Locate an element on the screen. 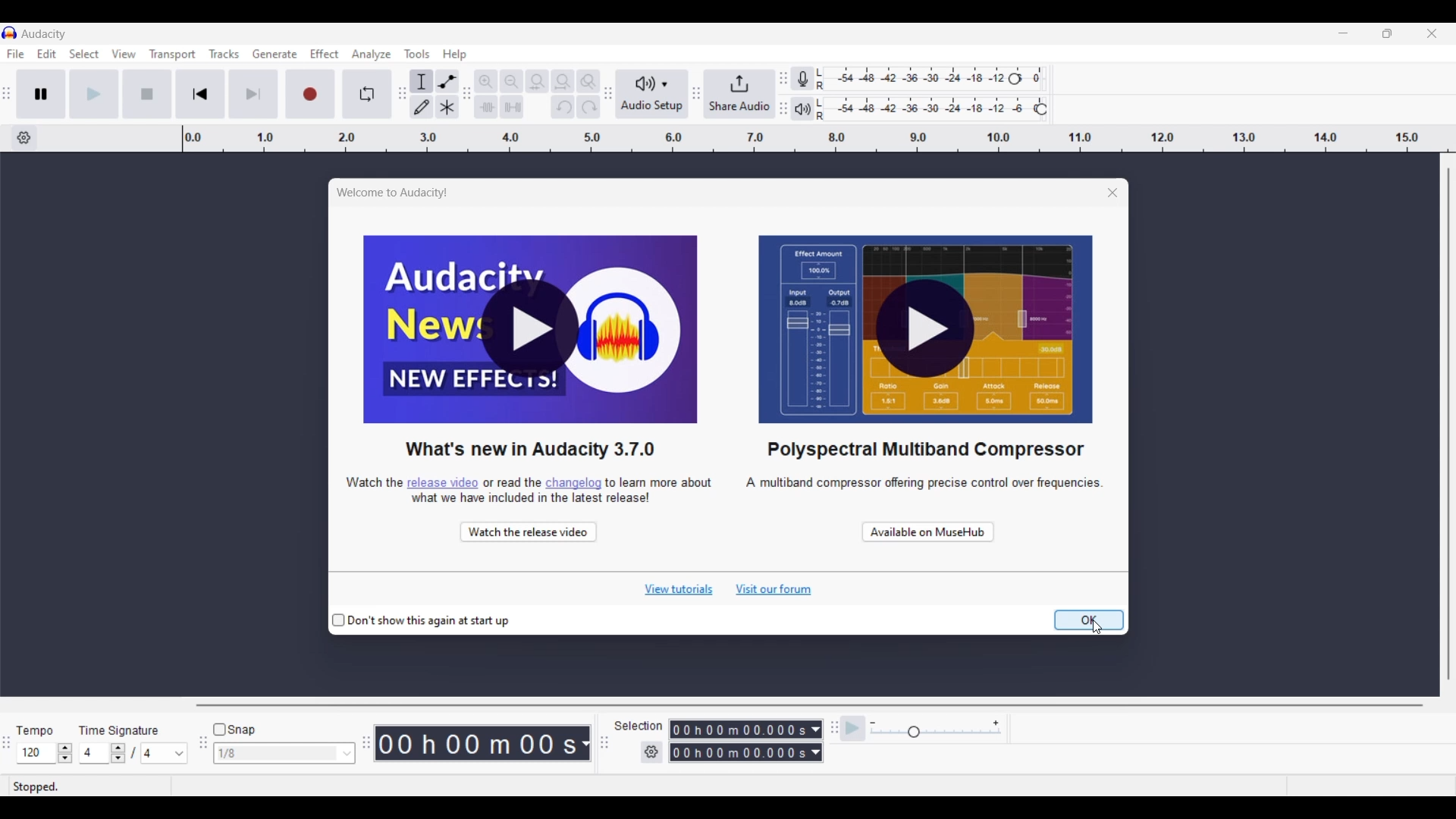  Audio setup is located at coordinates (651, 95).